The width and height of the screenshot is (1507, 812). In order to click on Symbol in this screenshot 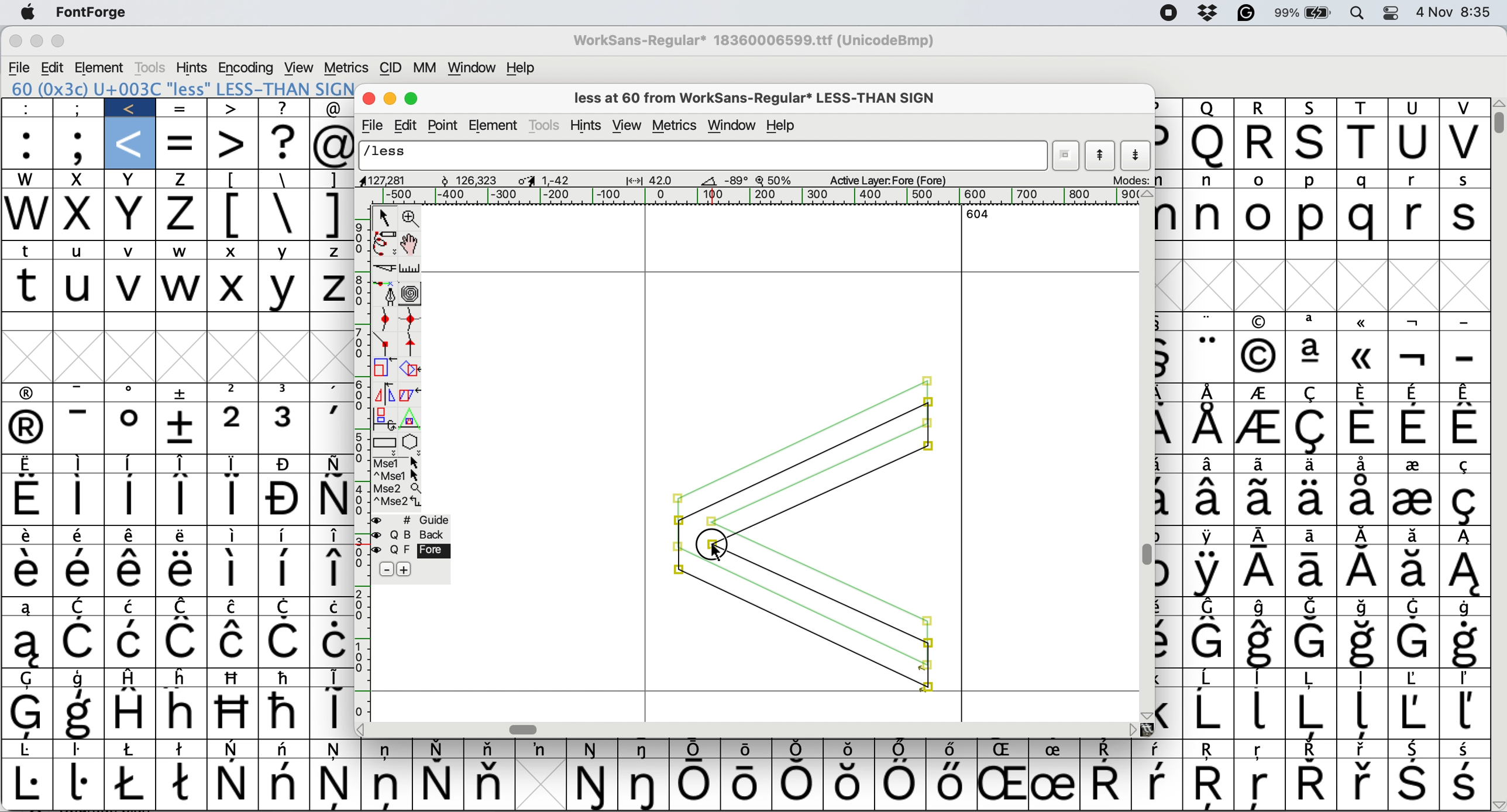, I will do `click(1363, 607)`.